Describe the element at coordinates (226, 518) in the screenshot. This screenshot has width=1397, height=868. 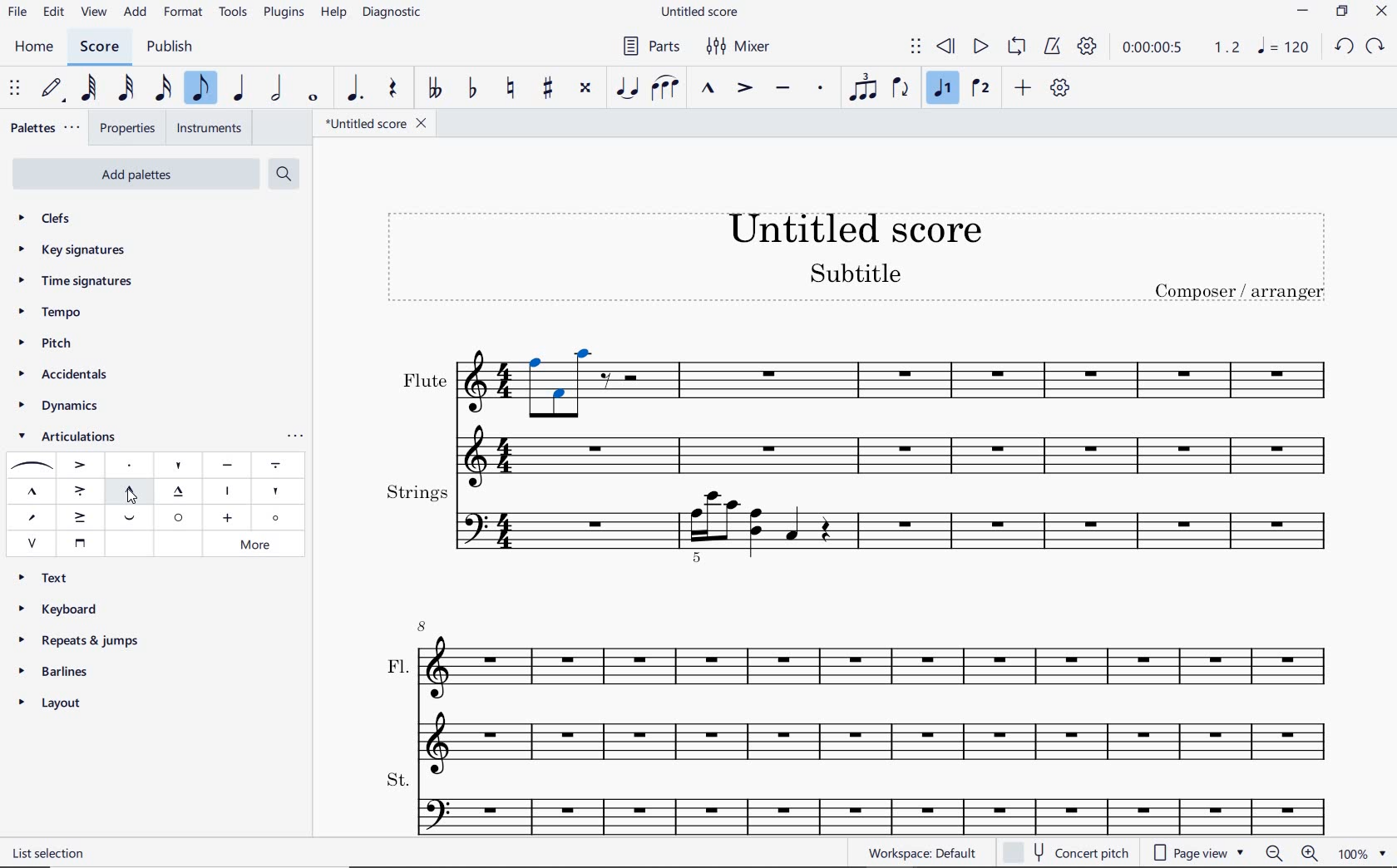
I see `MUTED (CLOSED)` at that location.